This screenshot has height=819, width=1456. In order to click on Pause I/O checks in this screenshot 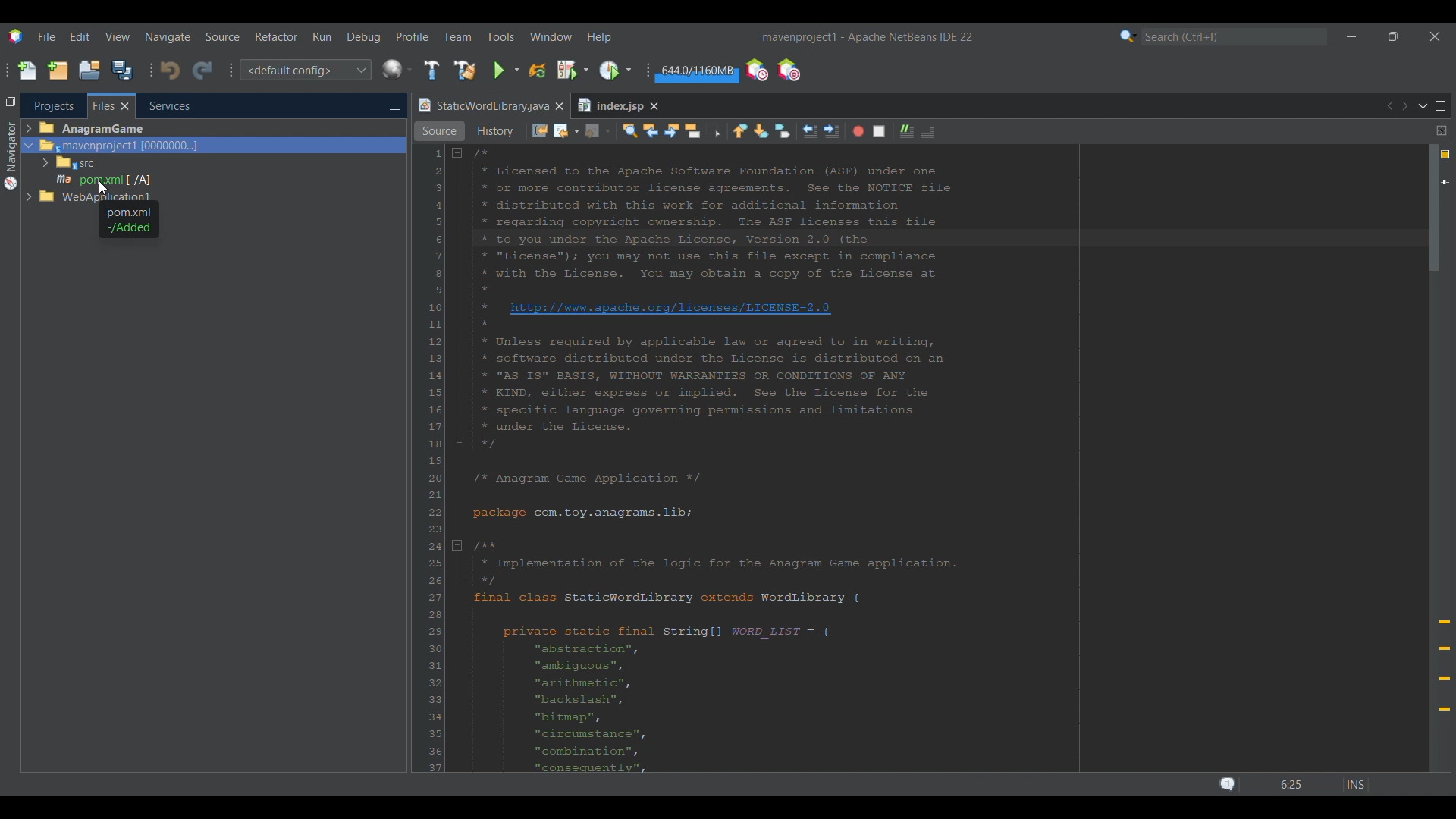, I will do `click(788, 70)`.